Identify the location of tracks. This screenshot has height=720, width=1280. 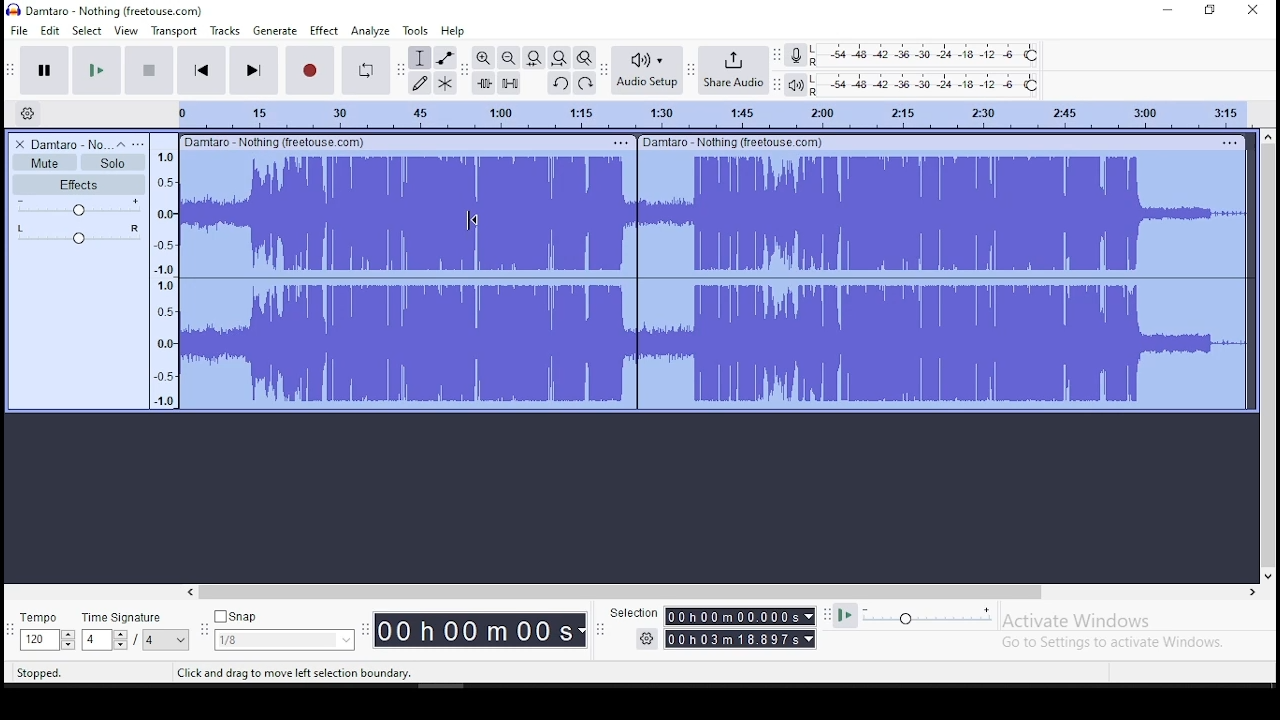
(225, 31).